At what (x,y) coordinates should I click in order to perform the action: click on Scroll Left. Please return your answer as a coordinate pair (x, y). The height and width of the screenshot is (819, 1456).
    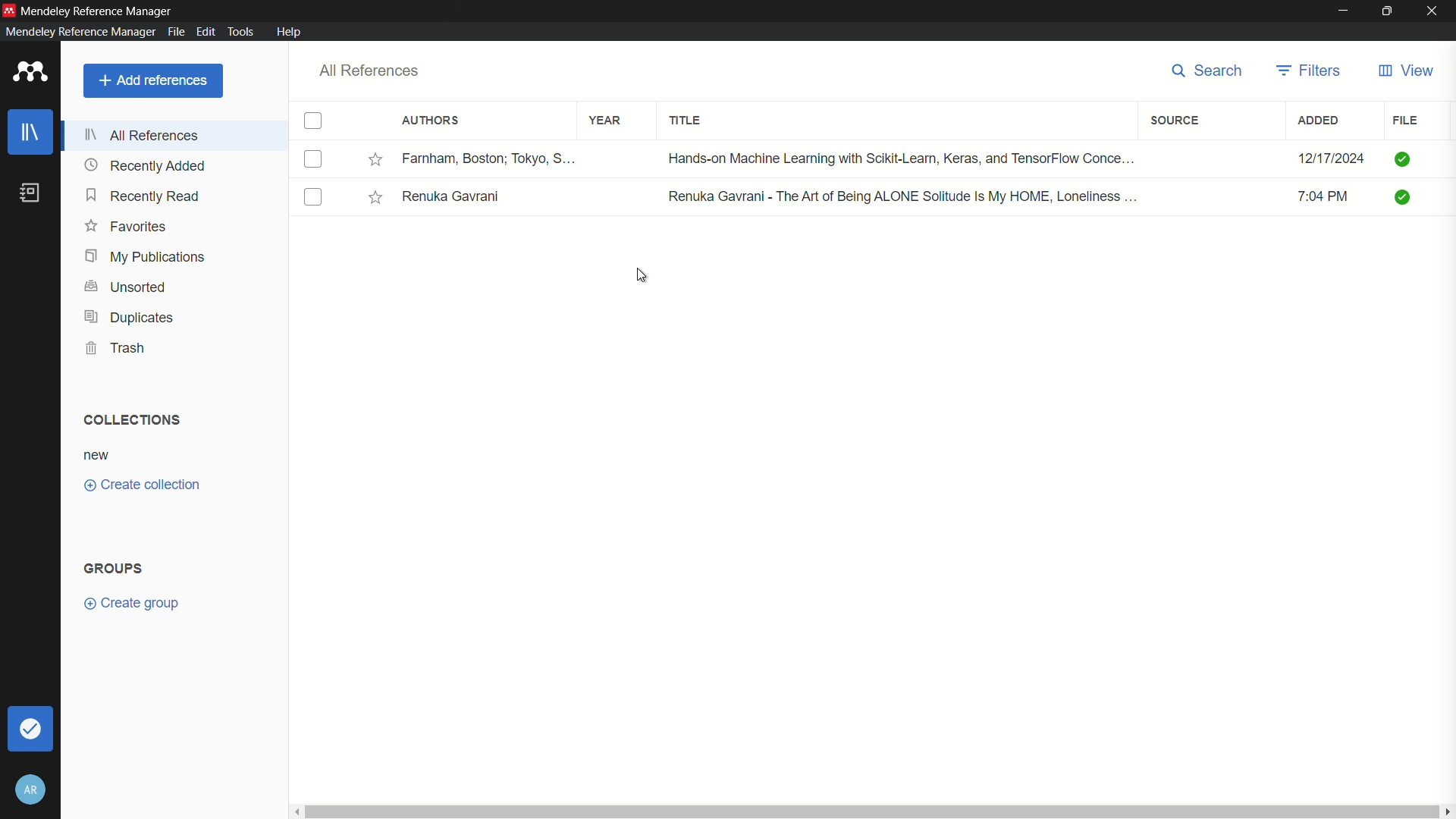
    Looking at the image, I should click on (297, 813).